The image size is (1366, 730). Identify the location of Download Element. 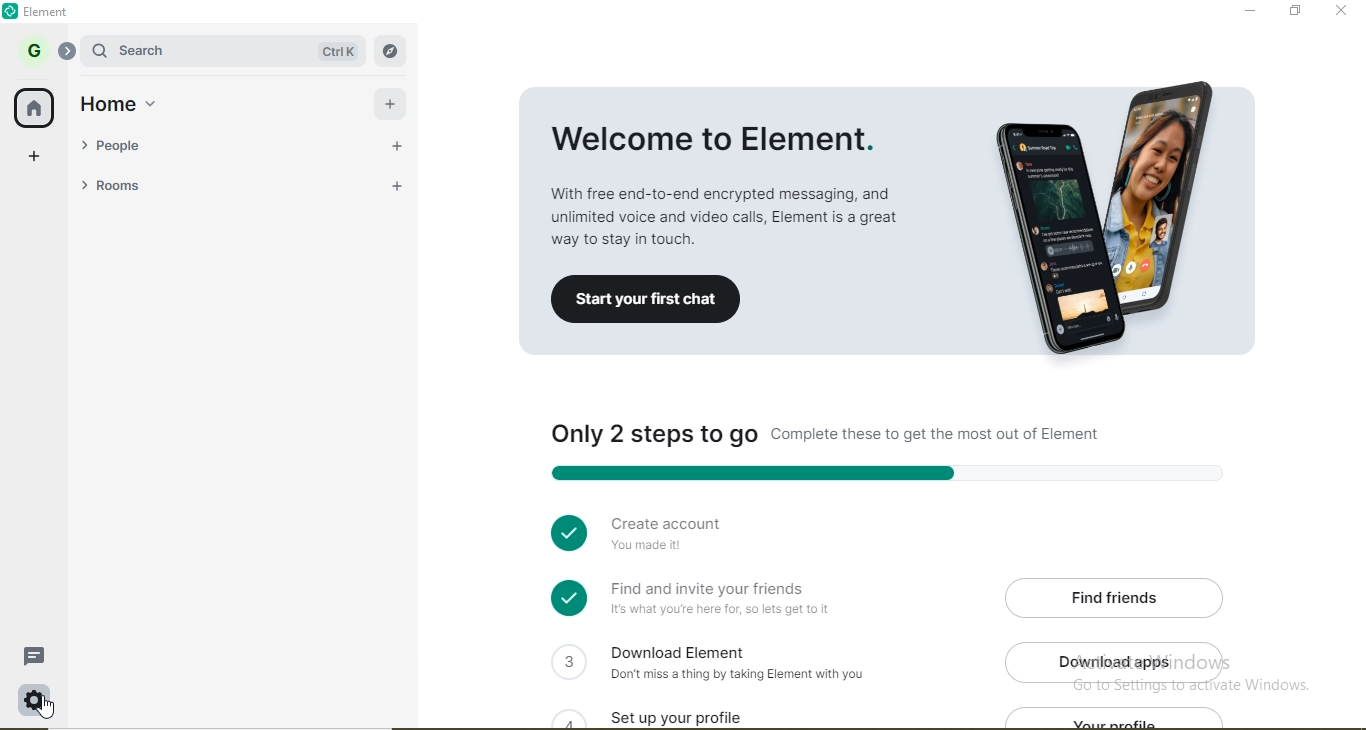
(746, 661).